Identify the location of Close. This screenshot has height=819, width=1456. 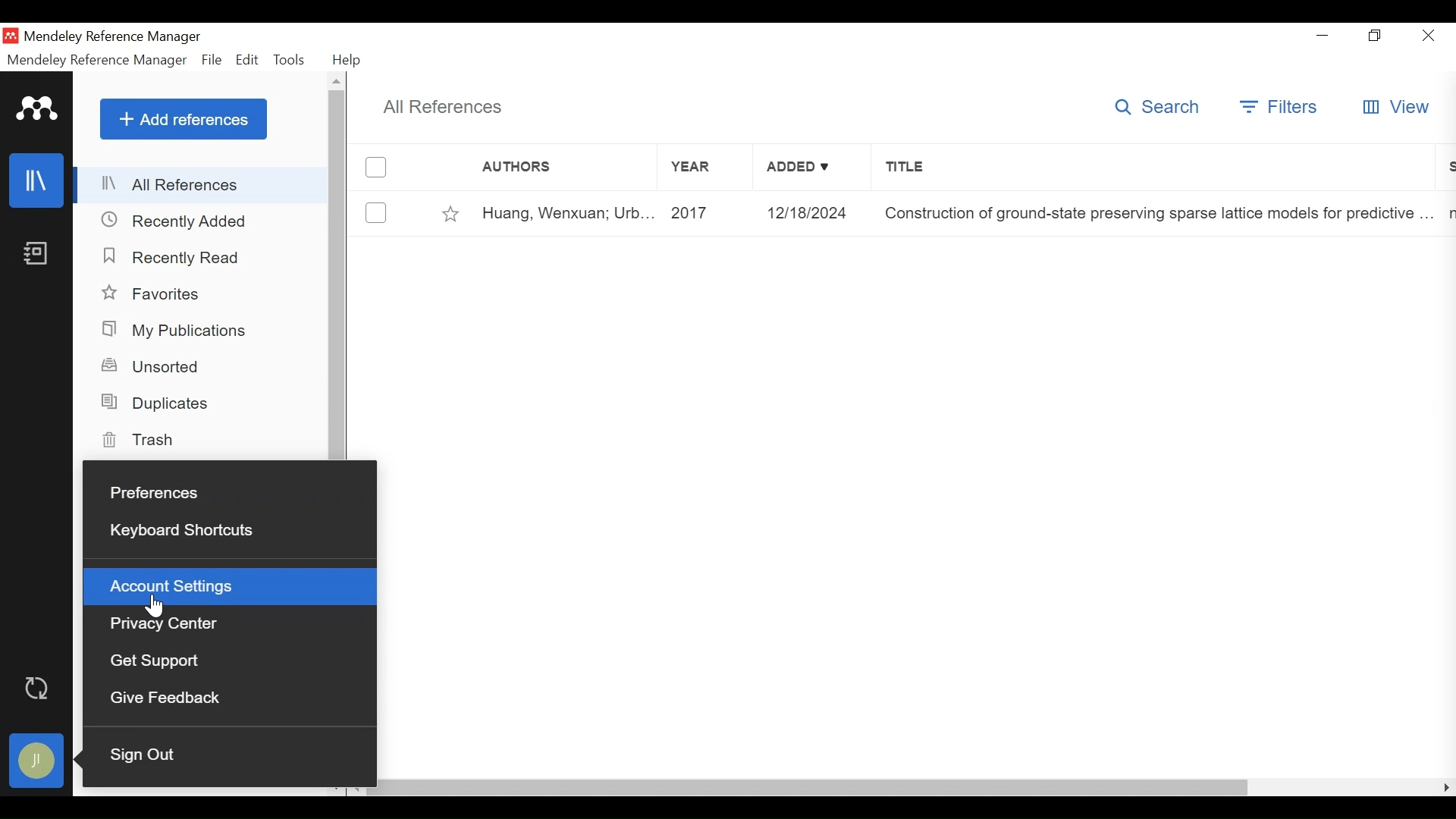
(1428, 37).